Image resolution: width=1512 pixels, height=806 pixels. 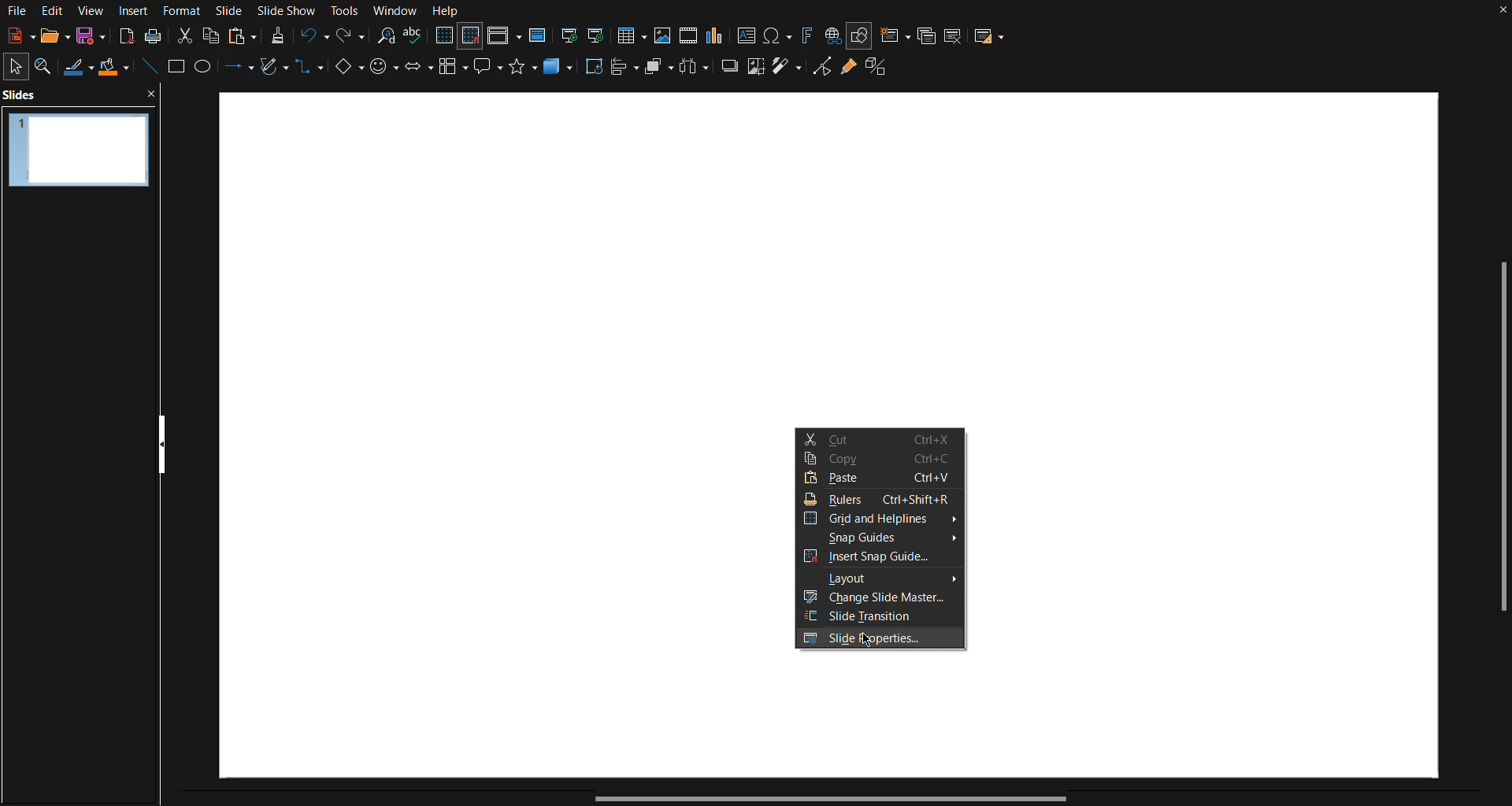 What do you see at coordinates (417, 72) in the screenshot?
I see `Block Arrows` at bounding box center [417, 72].